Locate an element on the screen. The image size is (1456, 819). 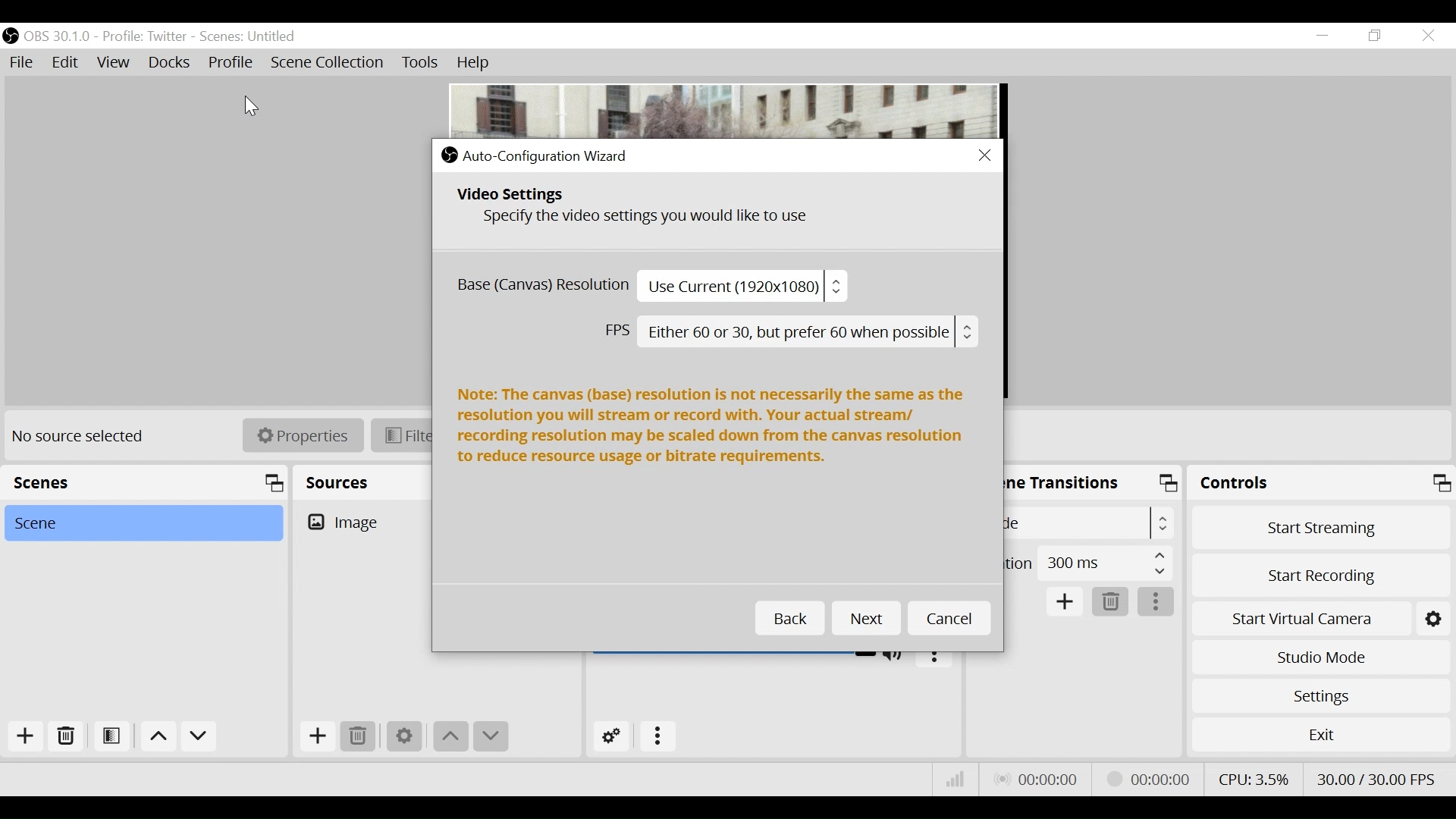
Base (Canvas) Resolution is located at coordinates (648, 287).